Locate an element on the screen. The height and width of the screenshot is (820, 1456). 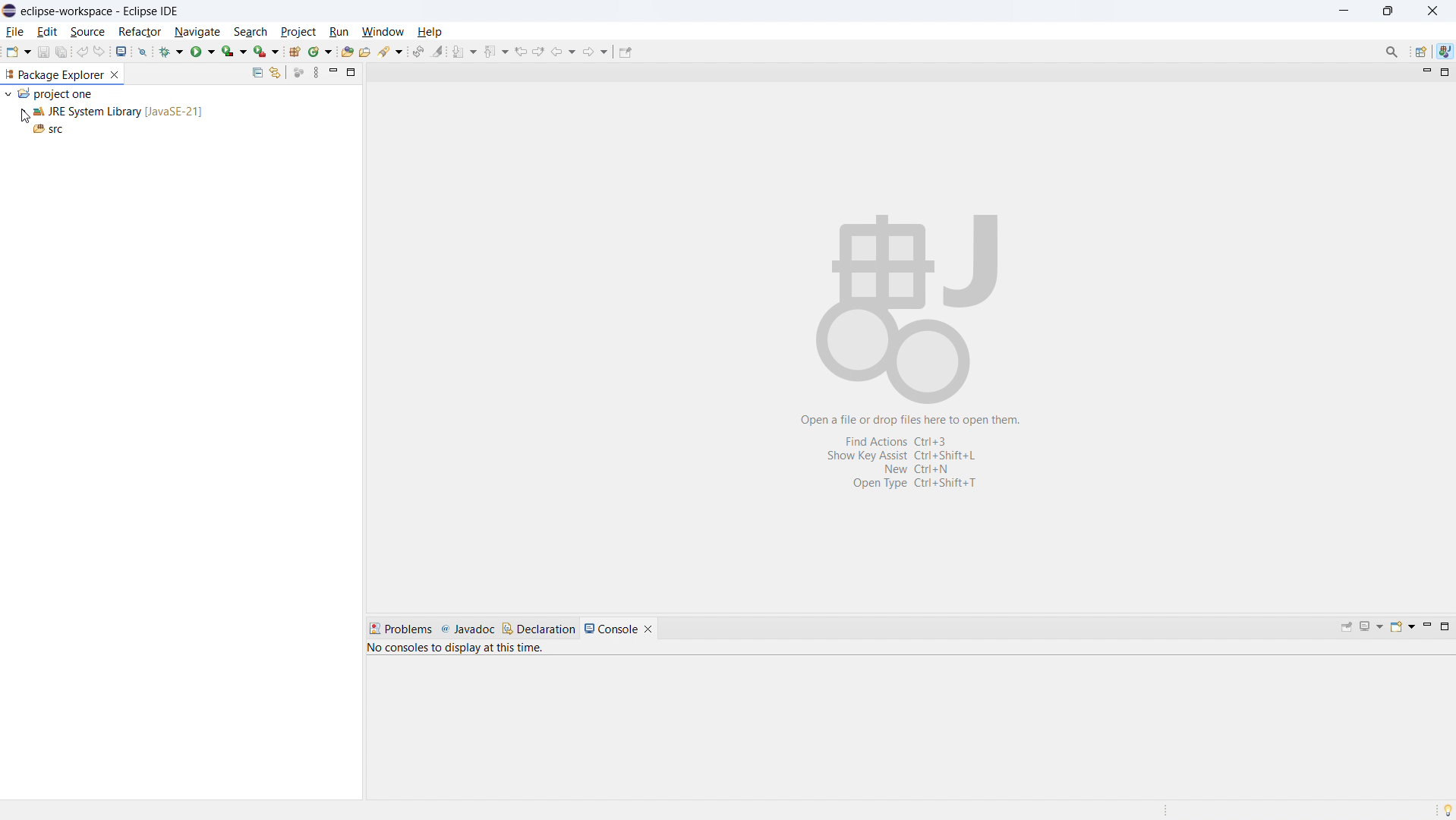
No consoles to display at this time. is located at coordinates (459, 646).